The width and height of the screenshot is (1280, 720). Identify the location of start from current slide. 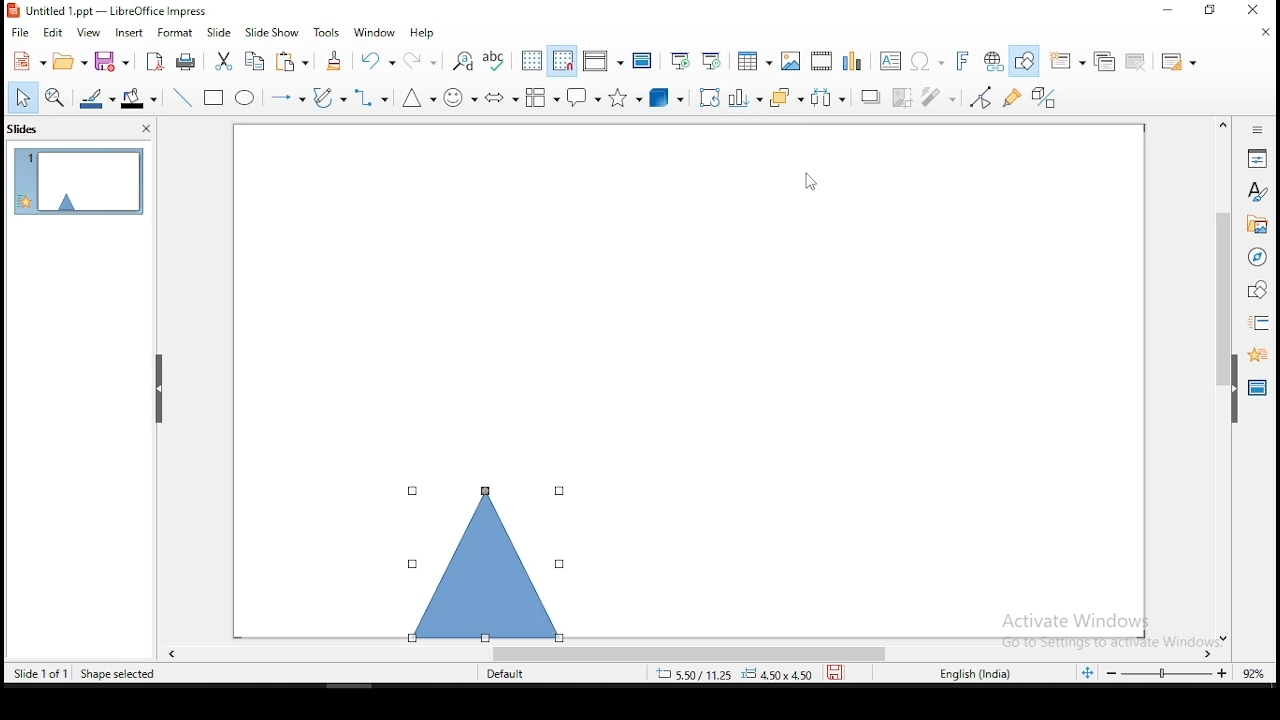
(713, 61).